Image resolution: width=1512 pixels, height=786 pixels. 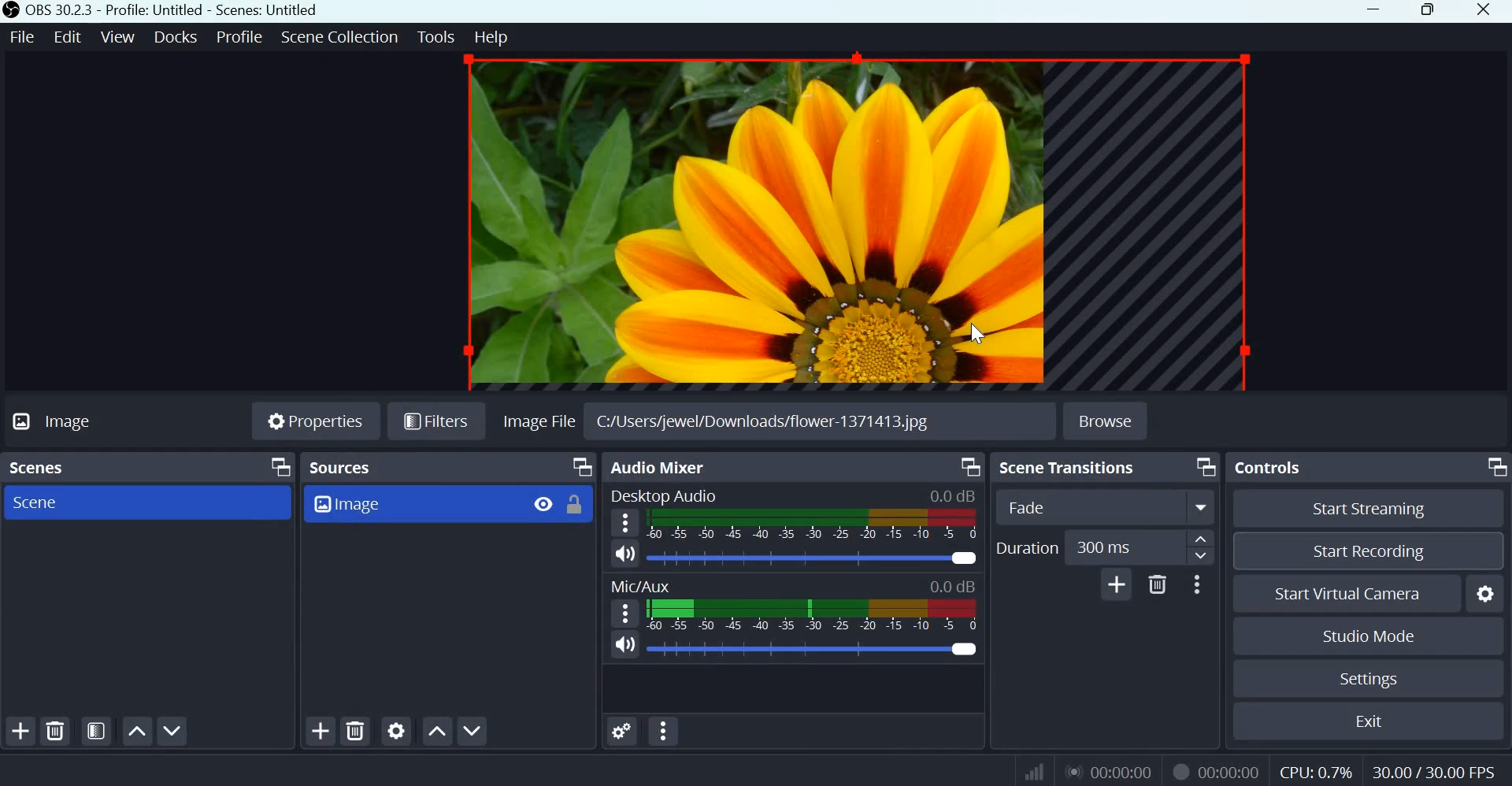 I want to click on Decrease, so click(x=1204, y=558).